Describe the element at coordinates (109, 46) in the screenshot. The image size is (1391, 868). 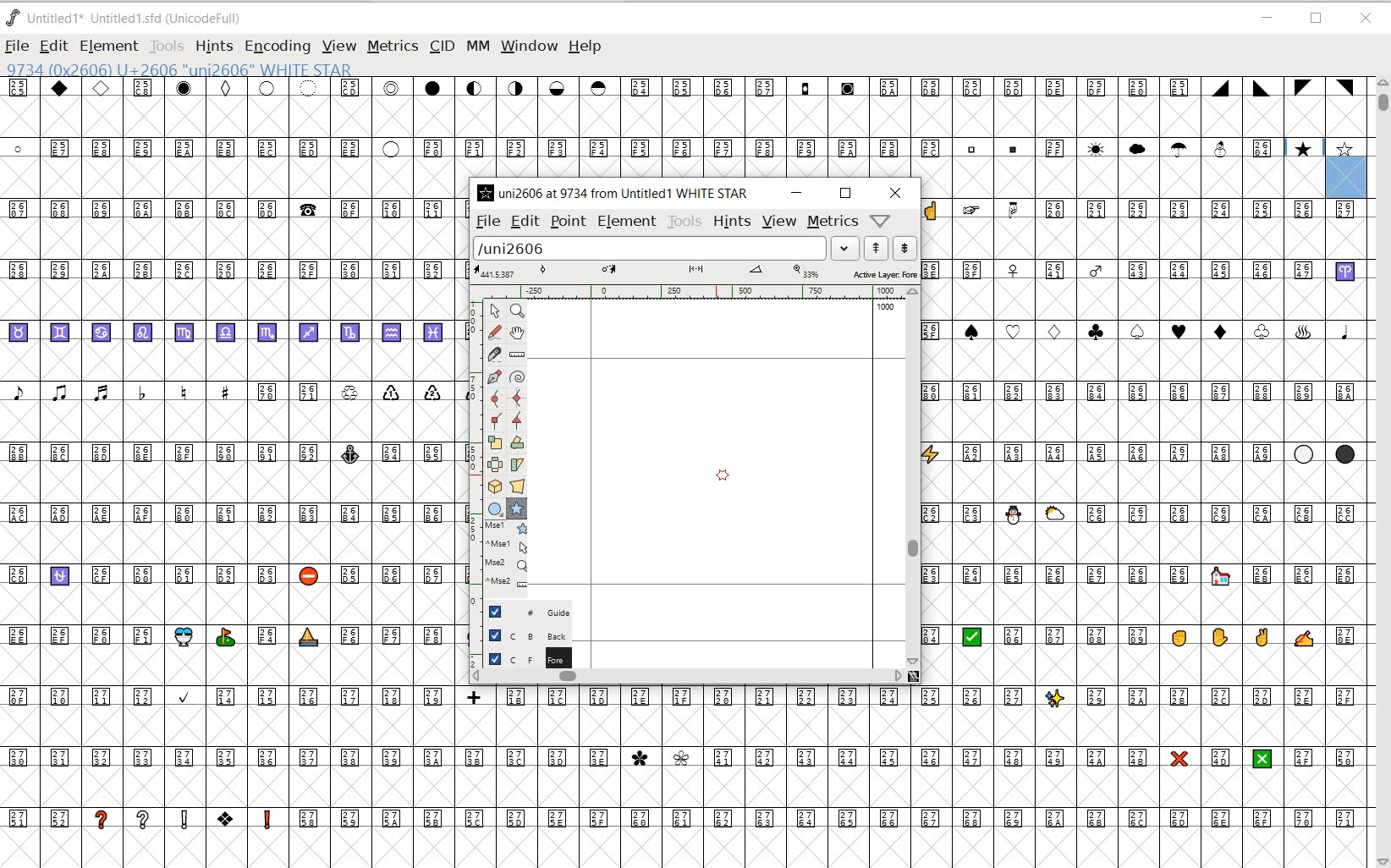
I see `ELEMENT` at that location.